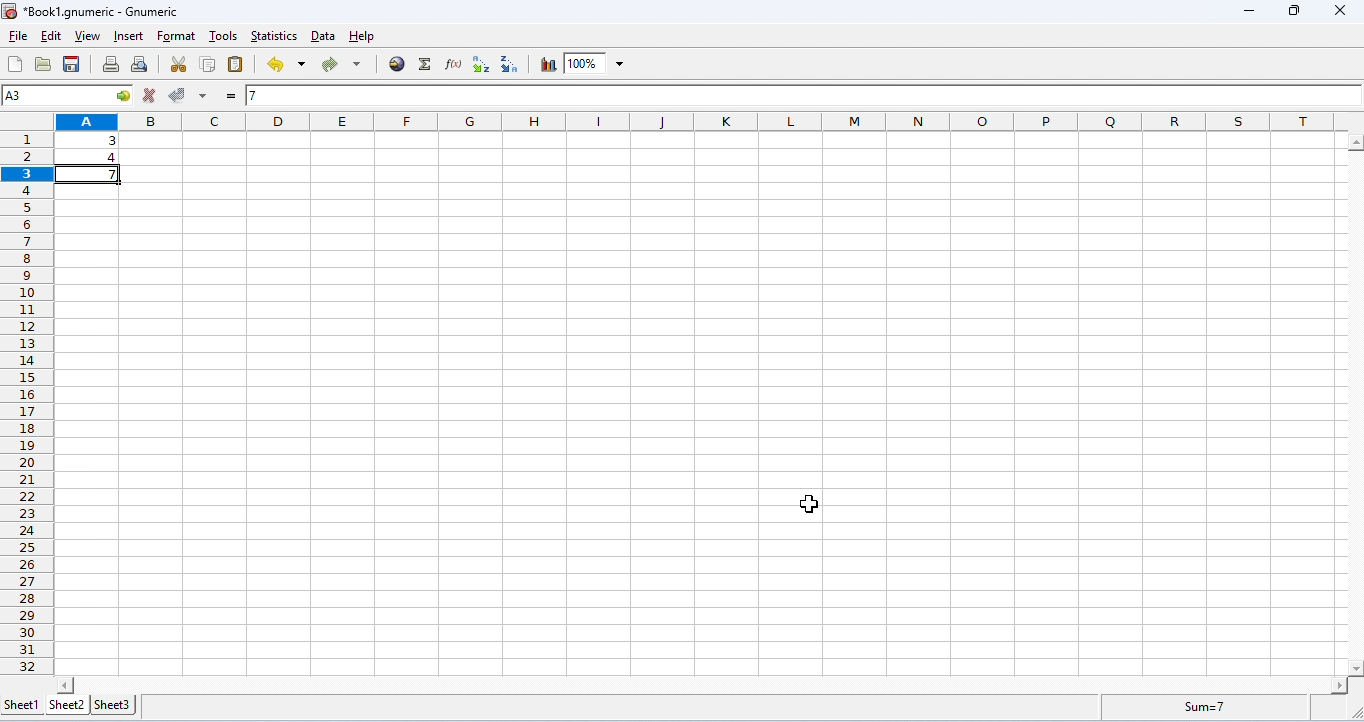  What do you see at coordinates (425, 65) in the screenshot?
I see `select function` at bounding box center [425, 65].